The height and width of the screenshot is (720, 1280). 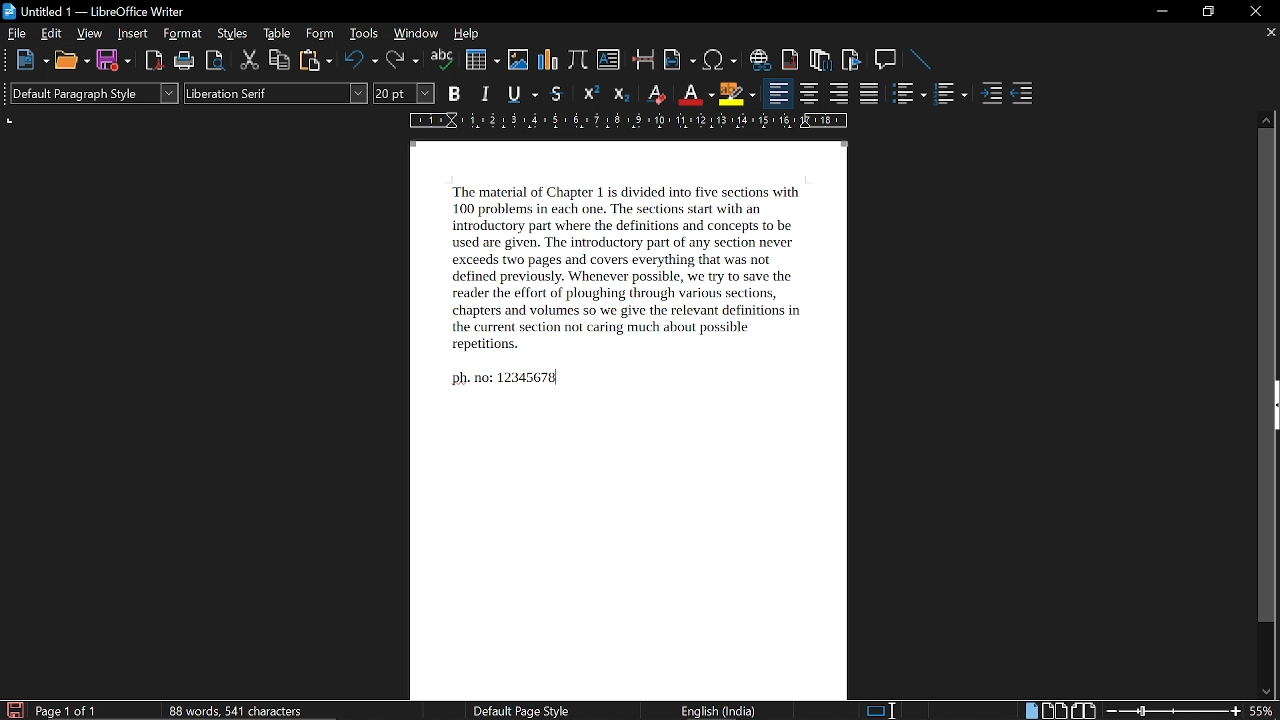 I want to click on copy, so click(x=280, y=61).